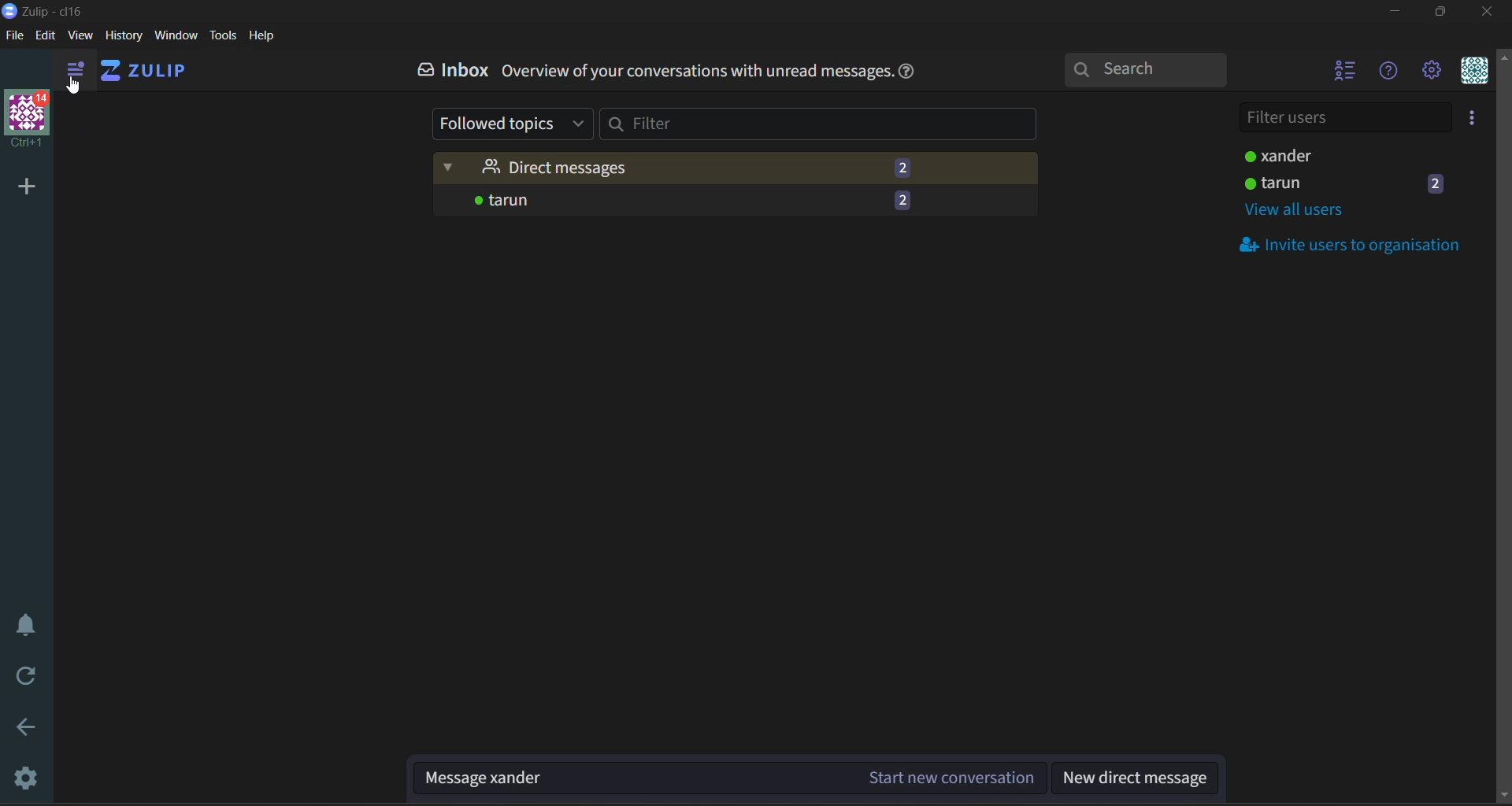 The width and height of the screenshot is (1512, 806). I want to click on filter, so click(823, 126).